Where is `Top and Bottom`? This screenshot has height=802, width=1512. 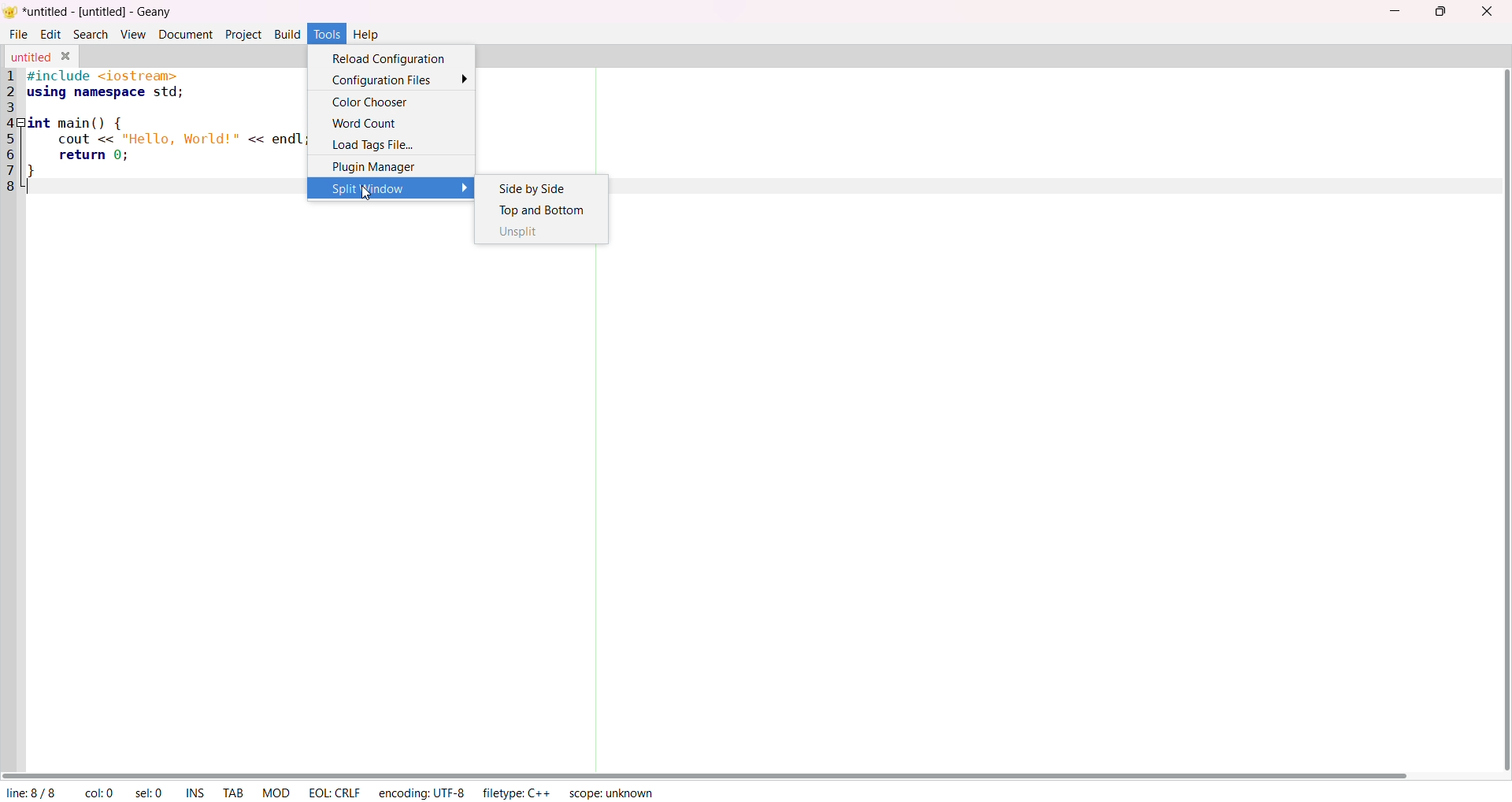 Top and Bottom is located at coordinates (540, 210).